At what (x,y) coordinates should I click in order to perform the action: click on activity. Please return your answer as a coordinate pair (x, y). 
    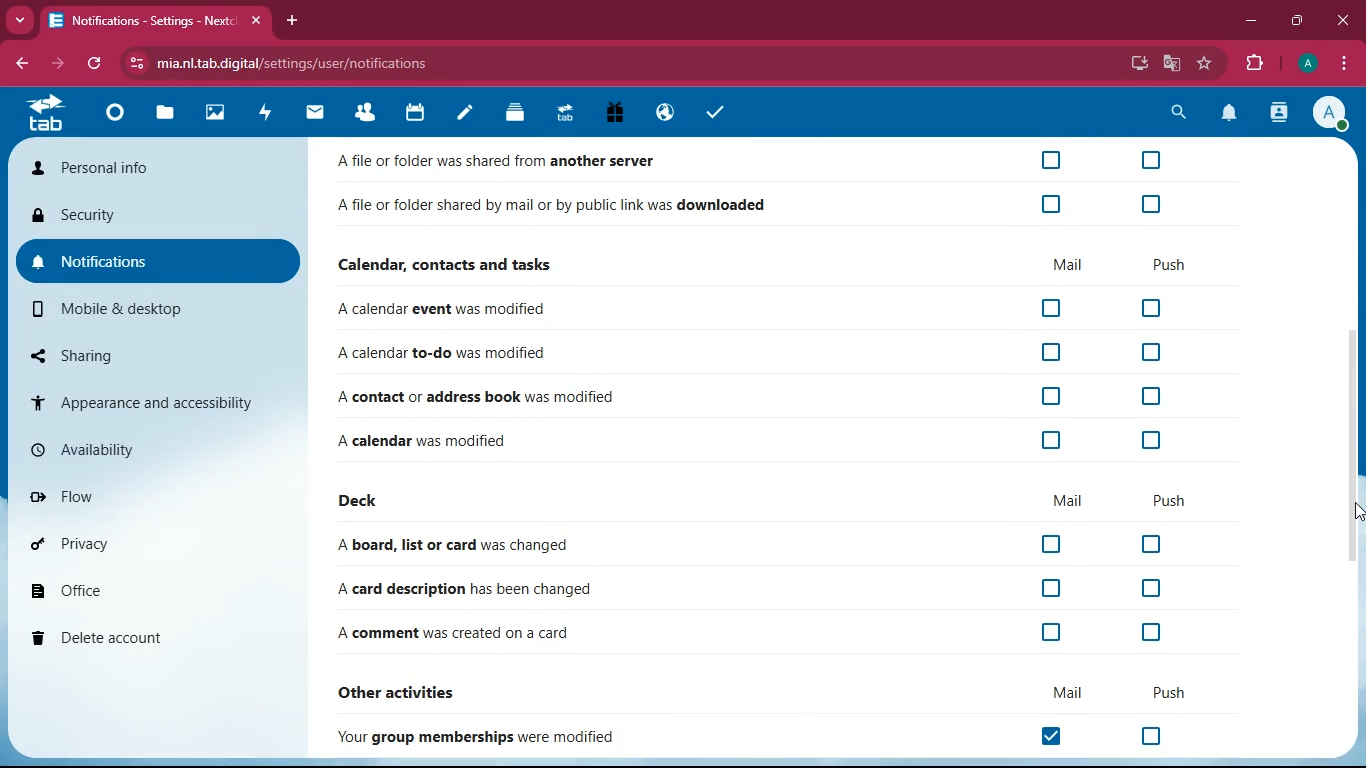
    Looking at the image, I should click on (267, 112).